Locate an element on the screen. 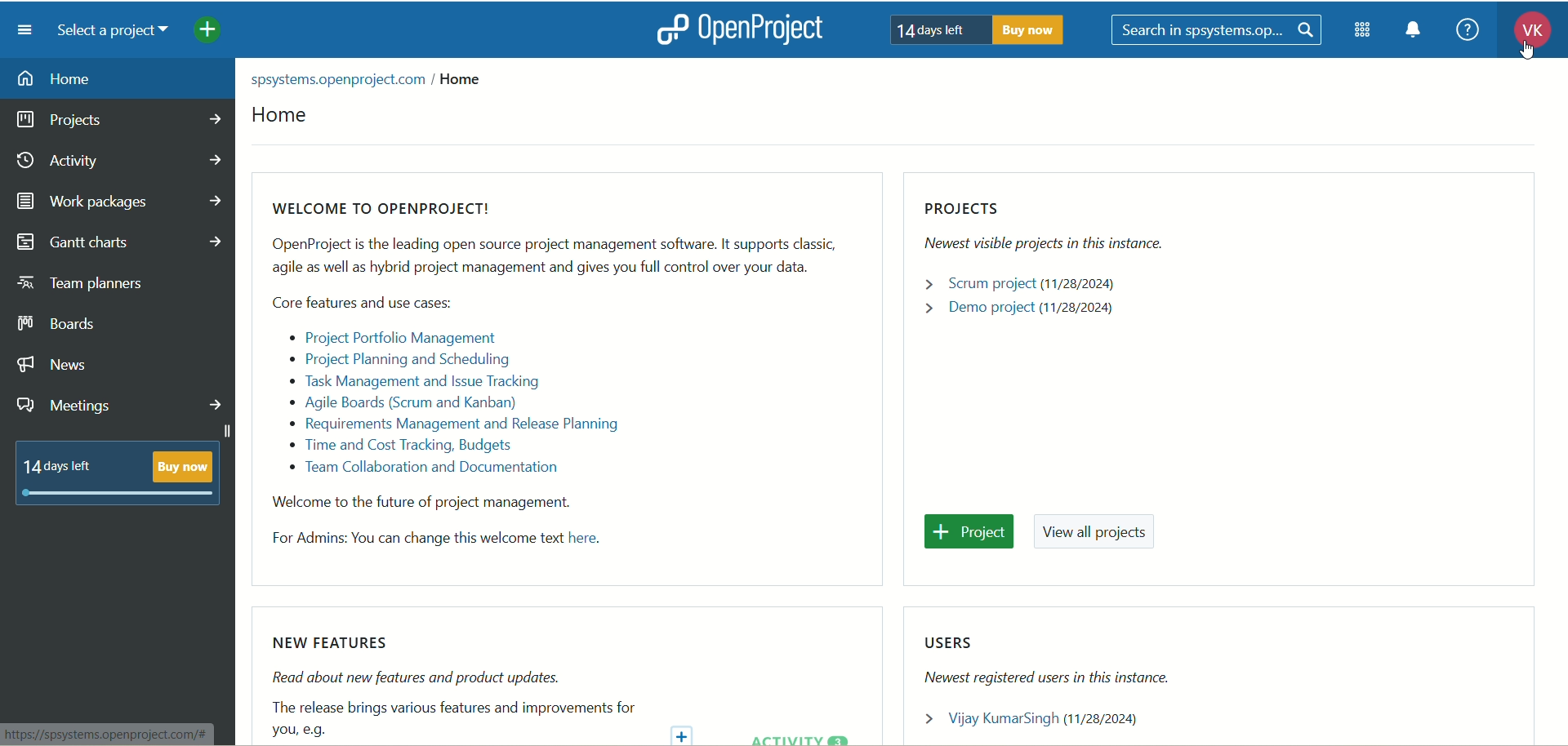 This screenshot has height=746, width=1568. select a project is located at coordinates (119, 33).